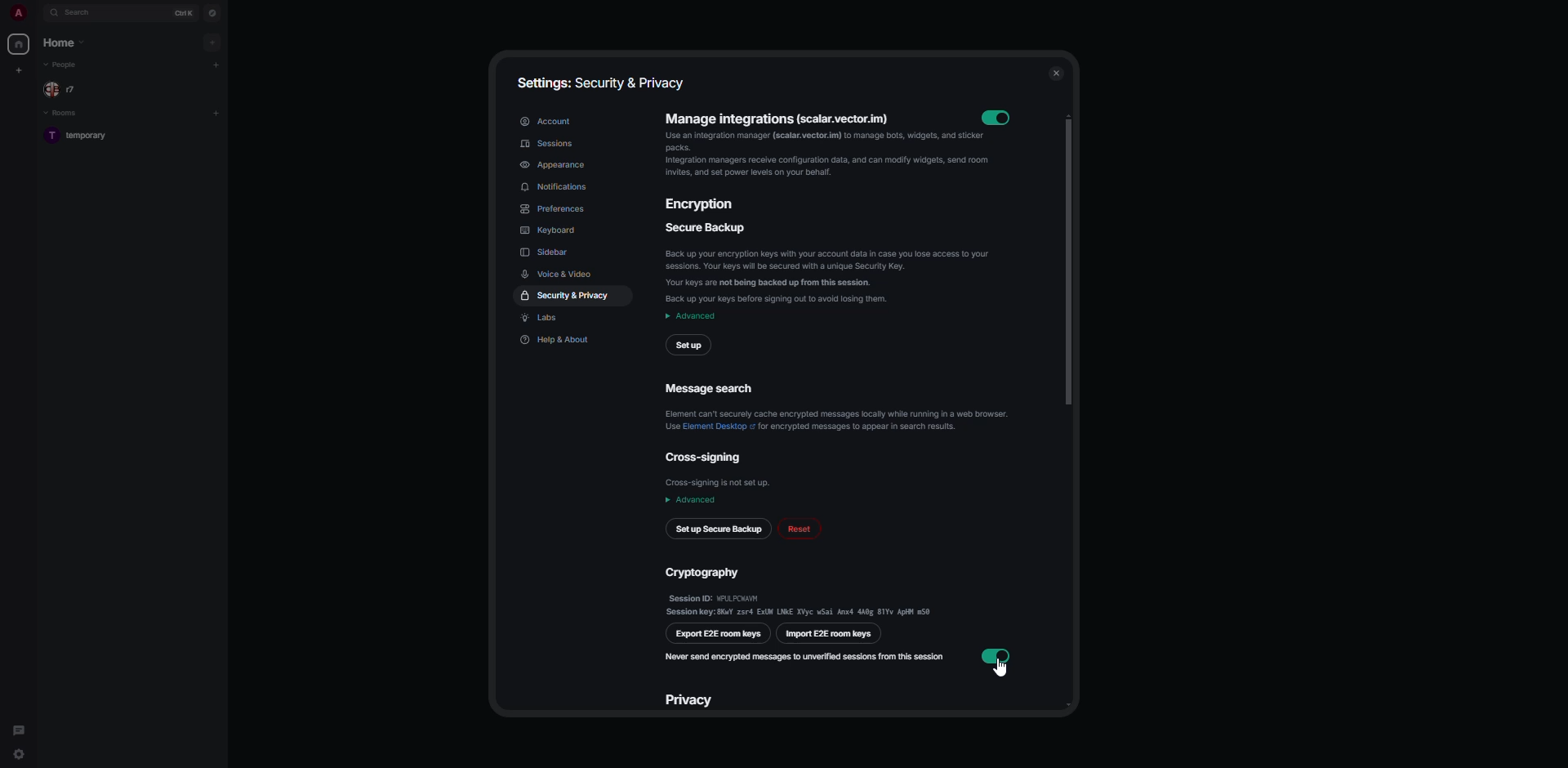  I want to click on scroll bar, so click(1068, 259).